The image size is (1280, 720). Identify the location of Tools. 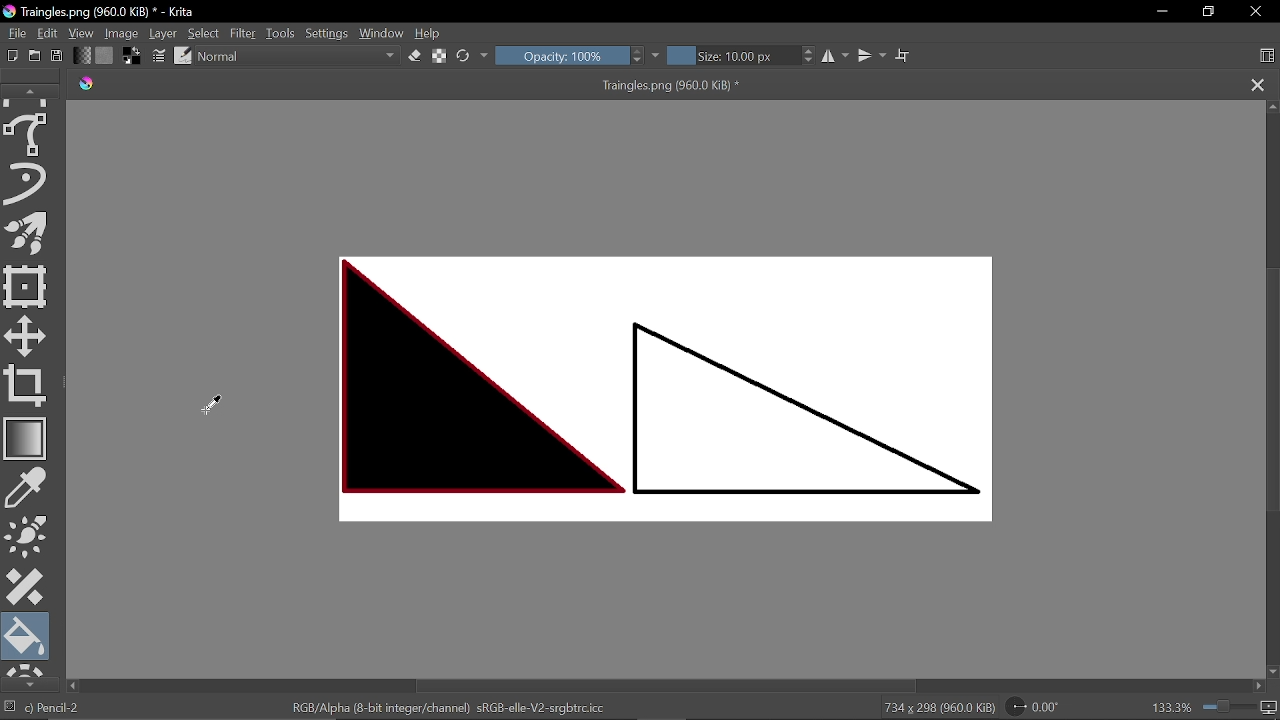
(282, 34).